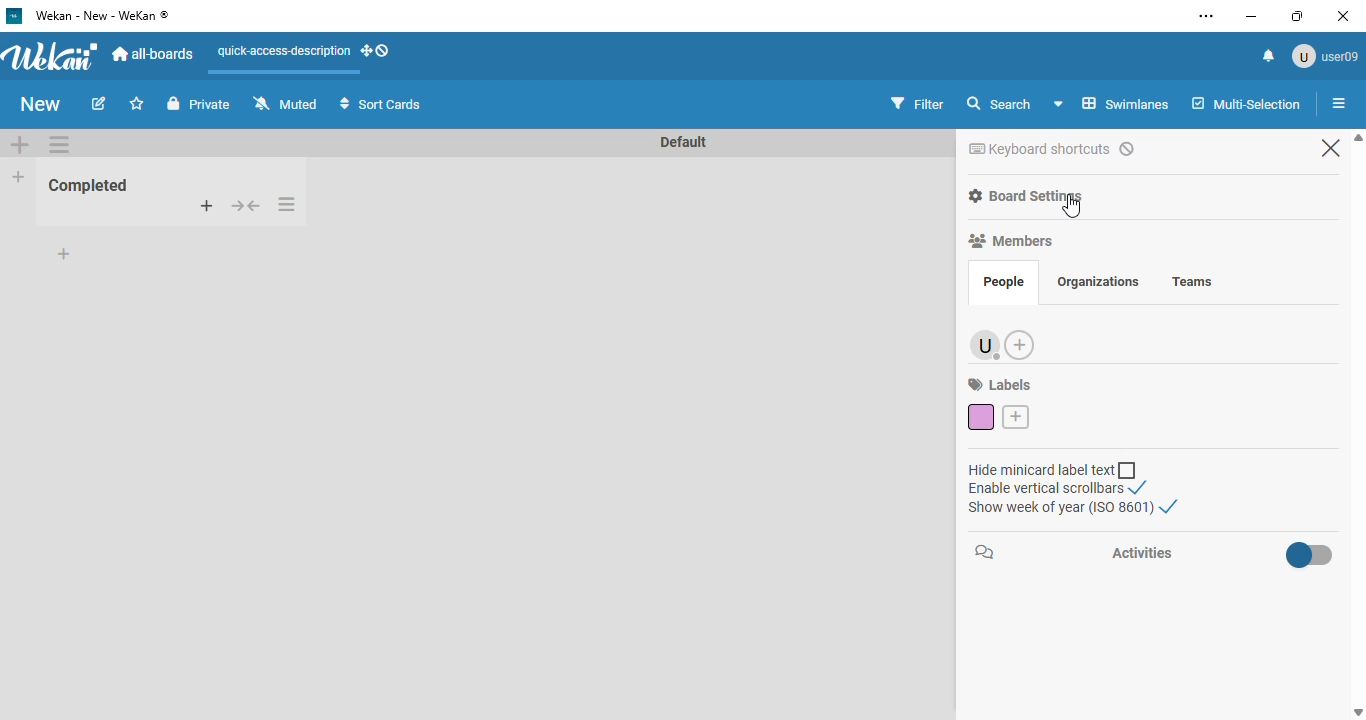 This screenshot has height=720, width=1366. Describe the element at coordinates (285, 103) in the screenshot. I see `muted` at that location.